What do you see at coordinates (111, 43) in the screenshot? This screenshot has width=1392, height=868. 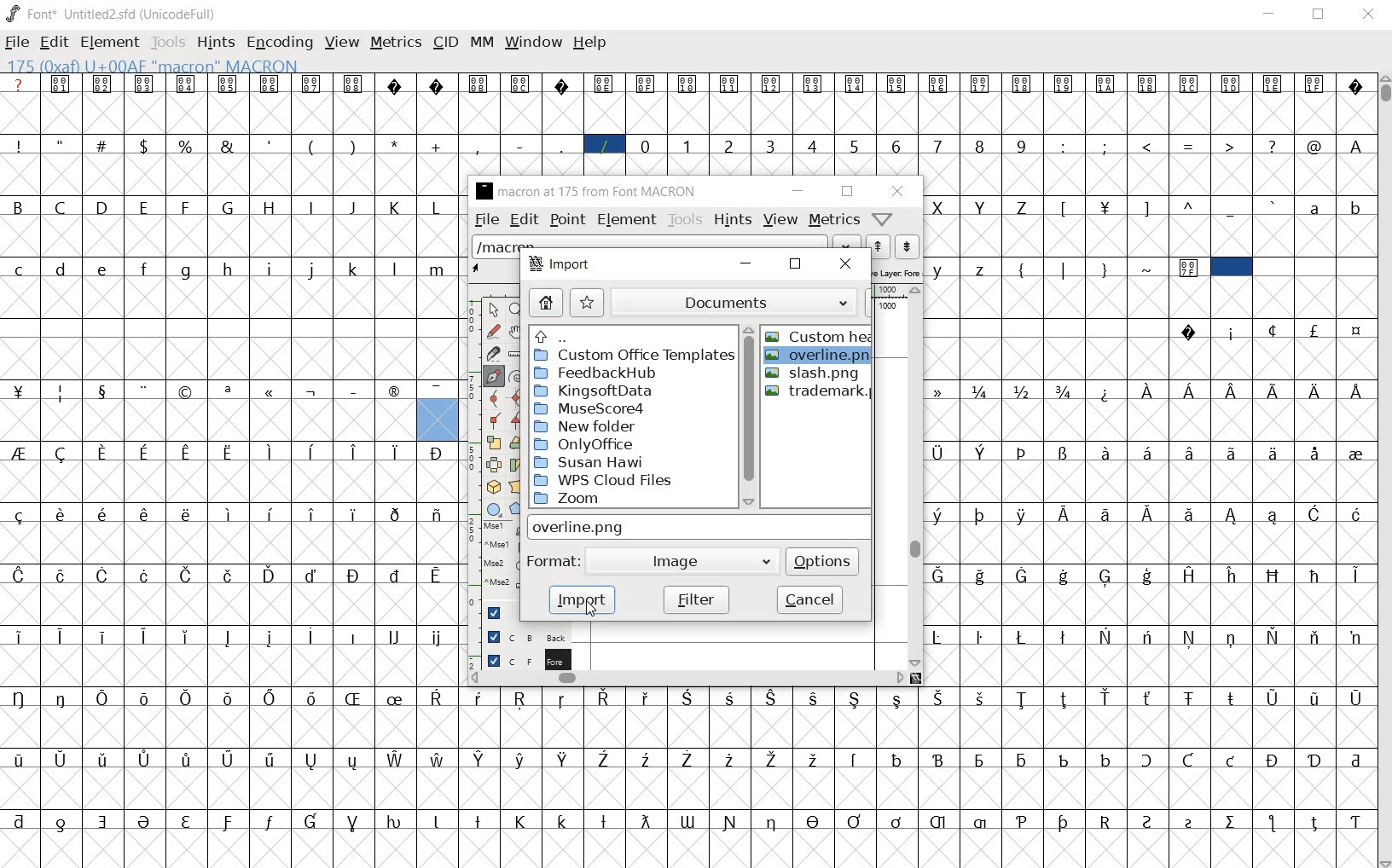 I see `element` at bounding box center [111, 43].